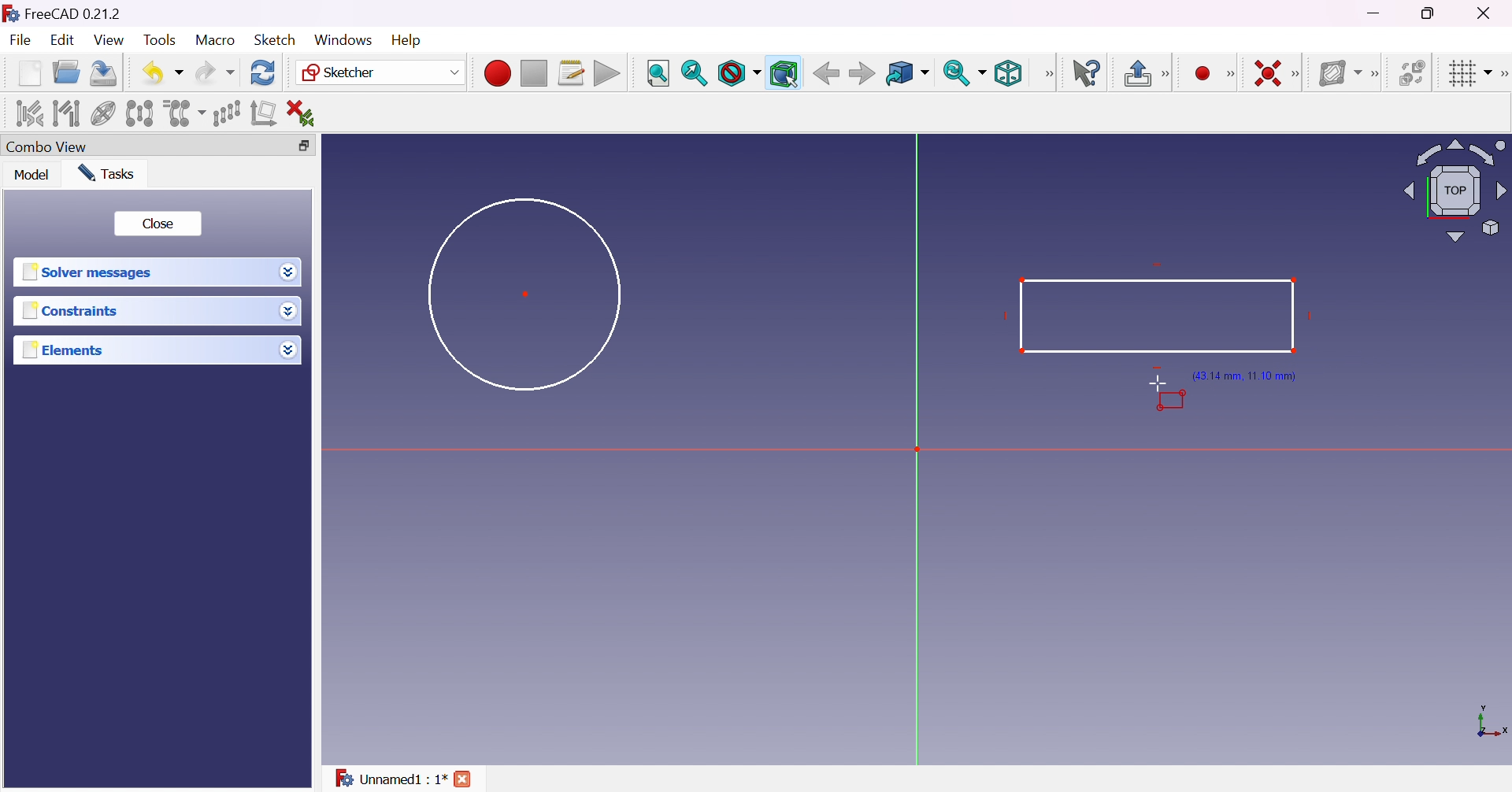 The image size is (1512, 792). What do you see at coordinates (1157, 316) in the screenshot?
I see `Rectangle` at bounding box center [1157, 316].